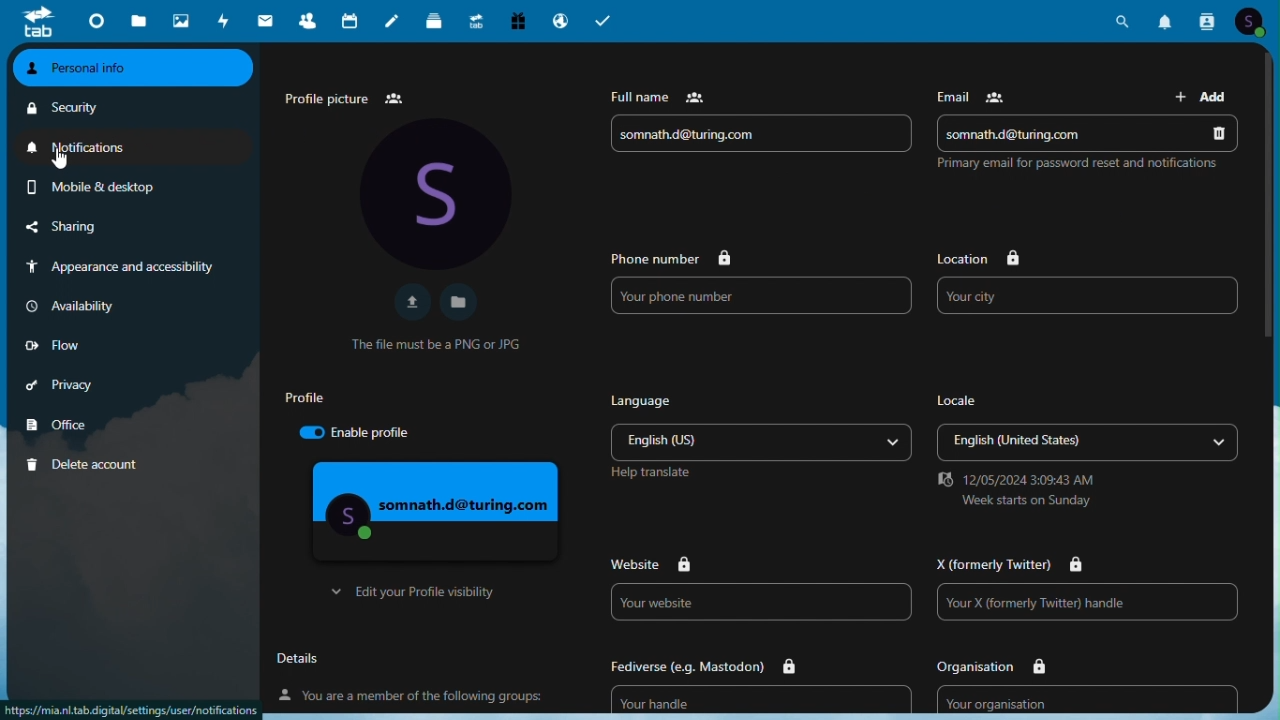 The image size is (1280, 720). I want to click on url, so click(132, 708).